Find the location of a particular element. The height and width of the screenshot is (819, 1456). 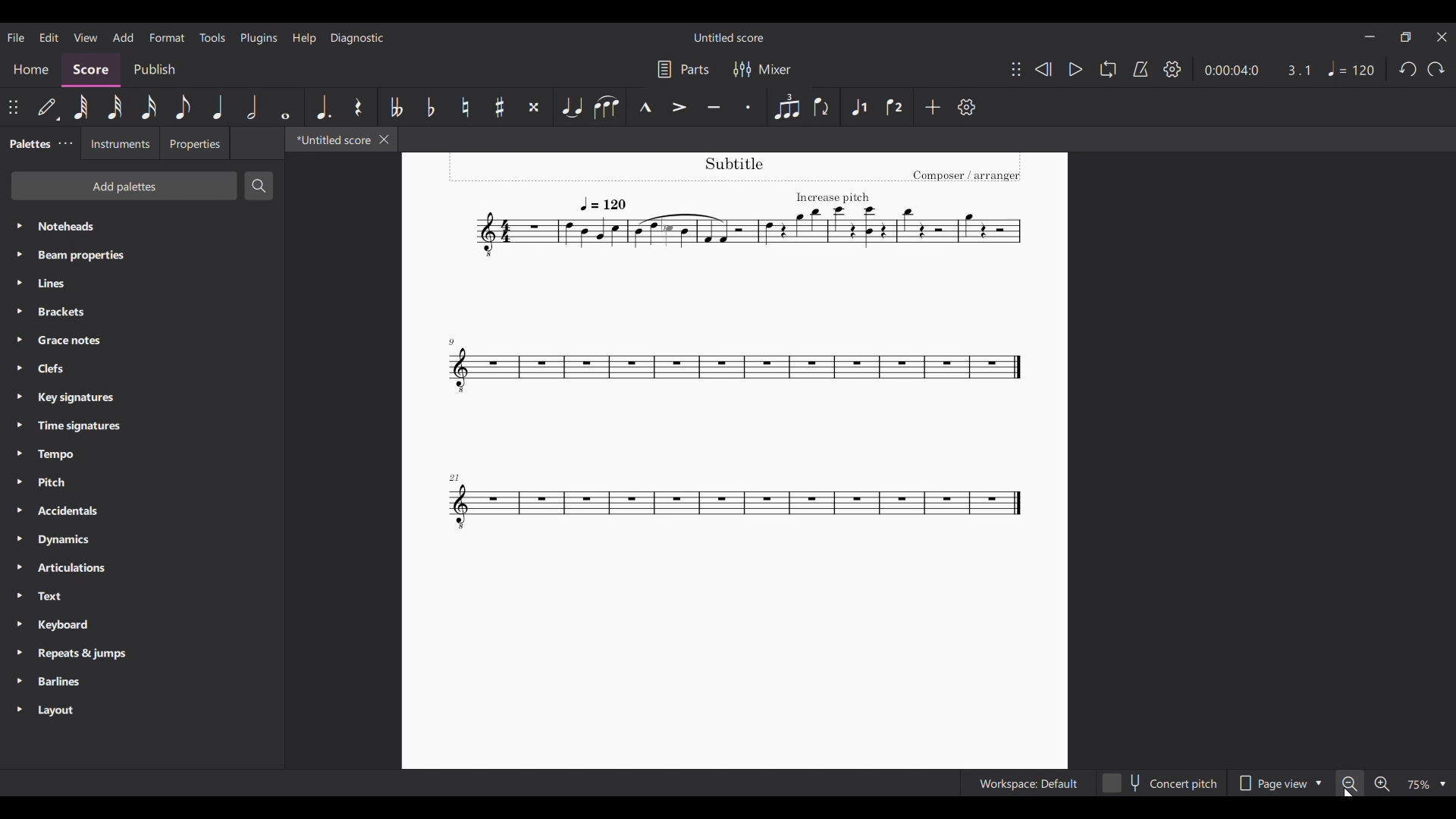

75% is located at coordinates (1415, 784).